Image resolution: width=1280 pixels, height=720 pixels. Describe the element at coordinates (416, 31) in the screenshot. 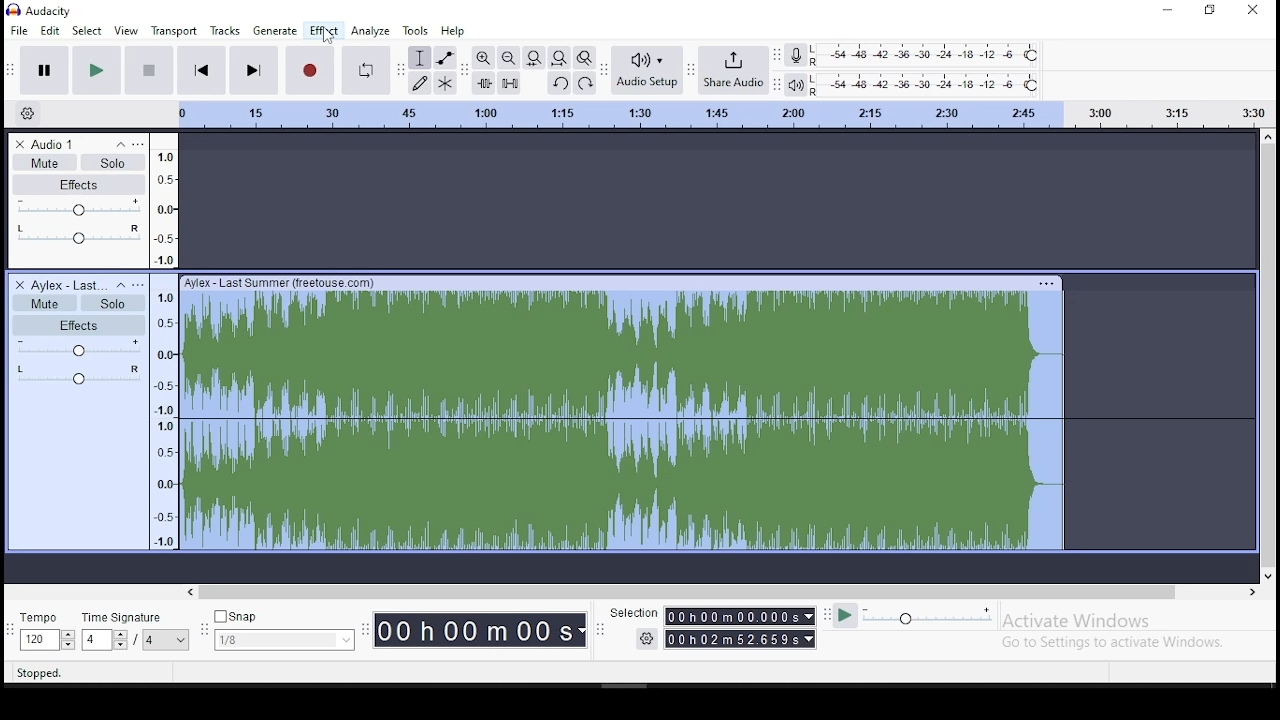

I see `tools` at that location.